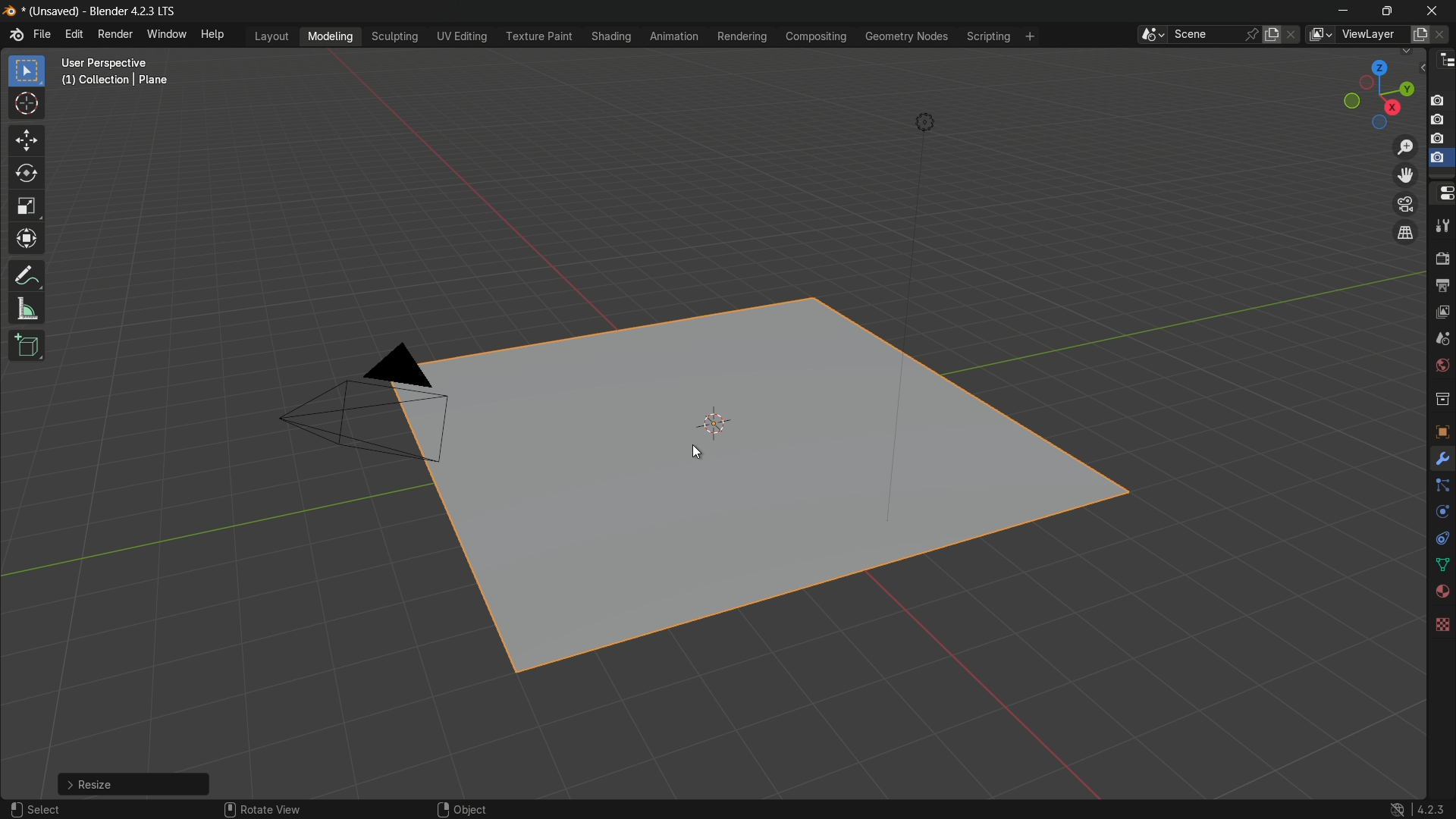  I want to click on collections, so click(1442, 397).